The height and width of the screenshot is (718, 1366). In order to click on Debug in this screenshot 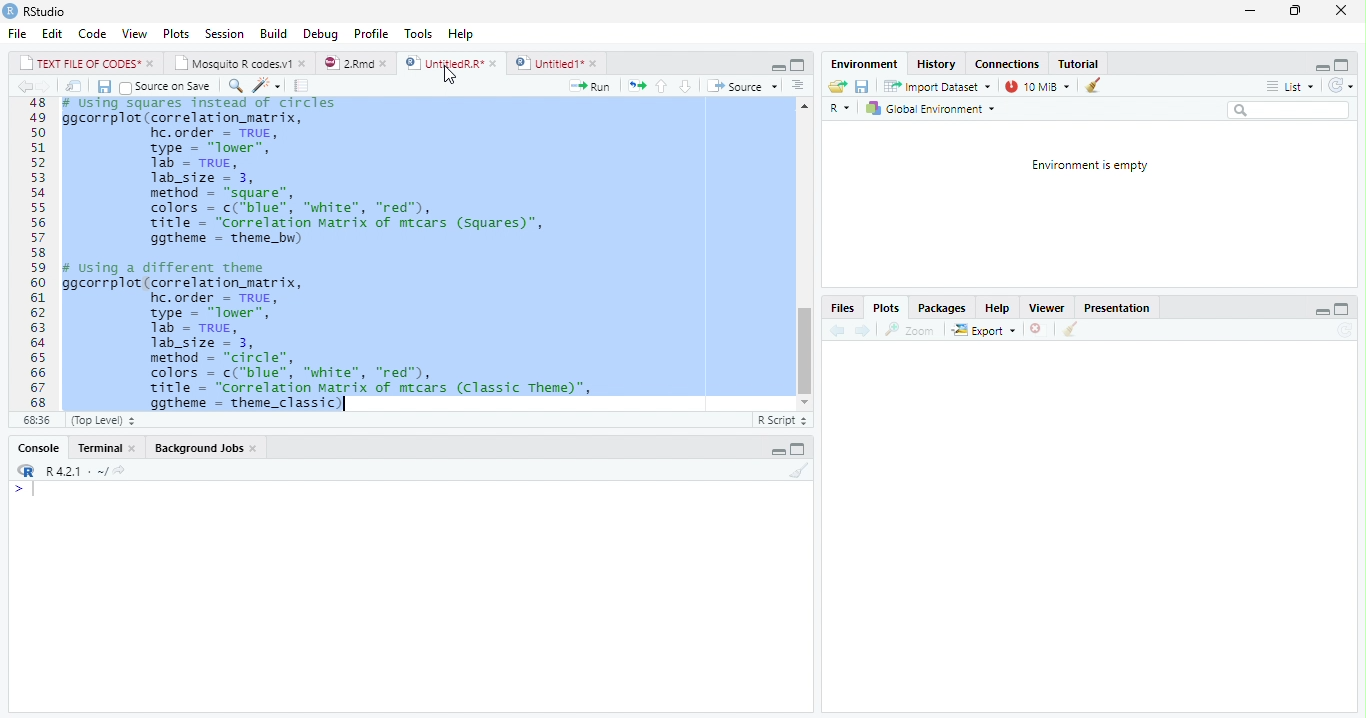, I will do `click(322, 34)`.